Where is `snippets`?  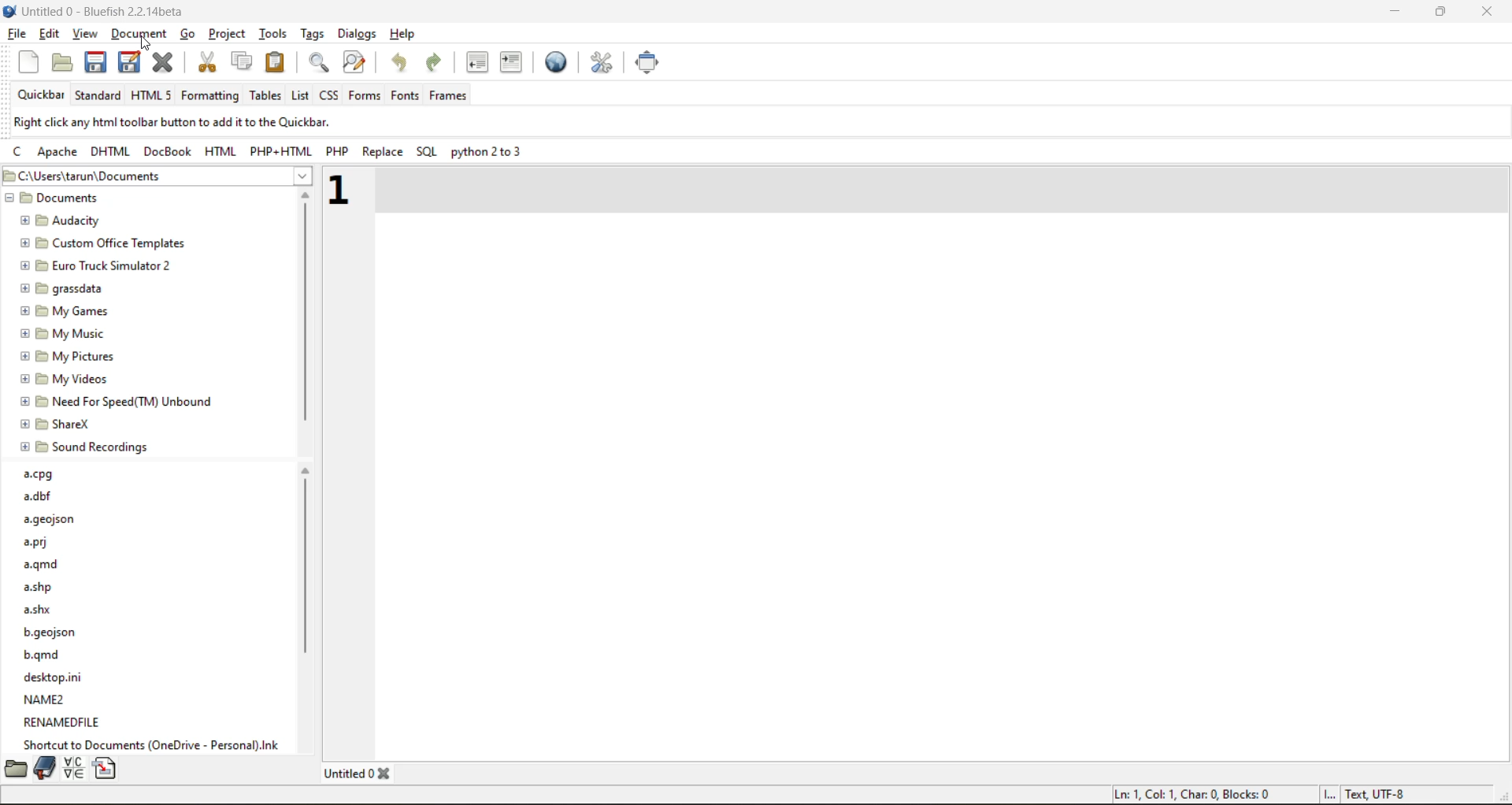 snippets is located at coordinates (106, 768).